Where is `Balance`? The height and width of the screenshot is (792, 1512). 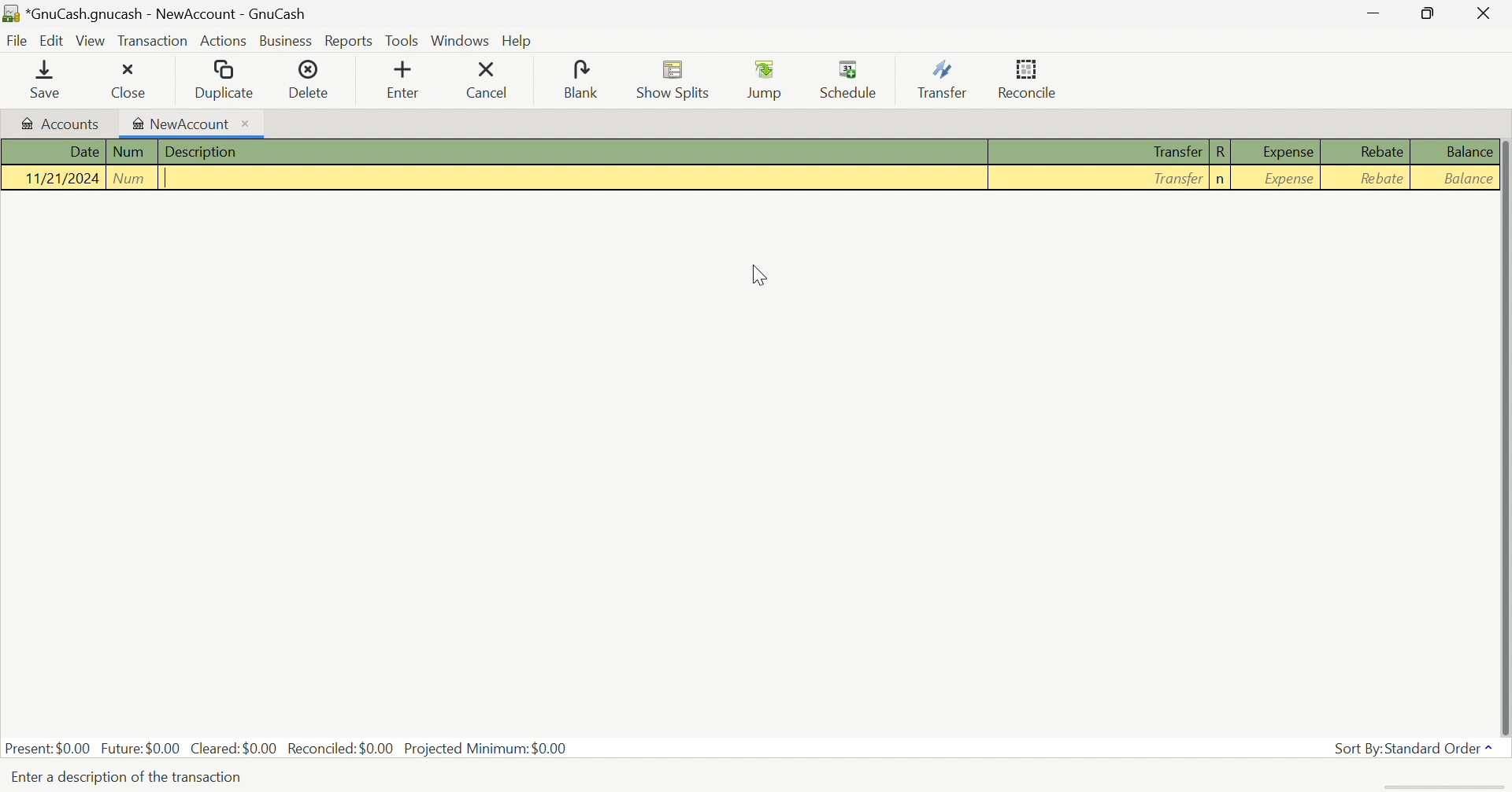 Balance is located at coordinates (1468, 151).